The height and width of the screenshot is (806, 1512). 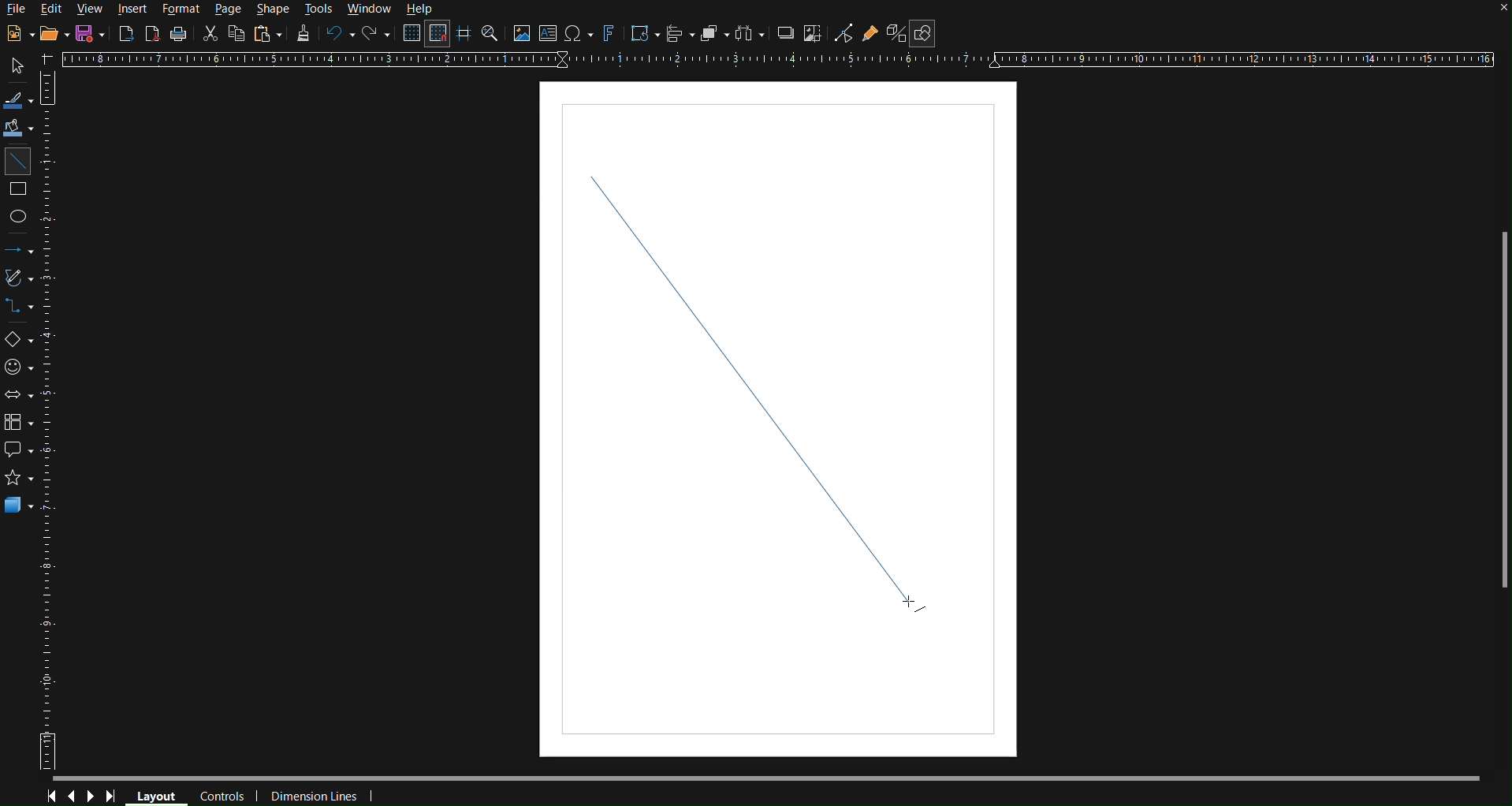 I want to click on Next, so click(x=91, y=795).